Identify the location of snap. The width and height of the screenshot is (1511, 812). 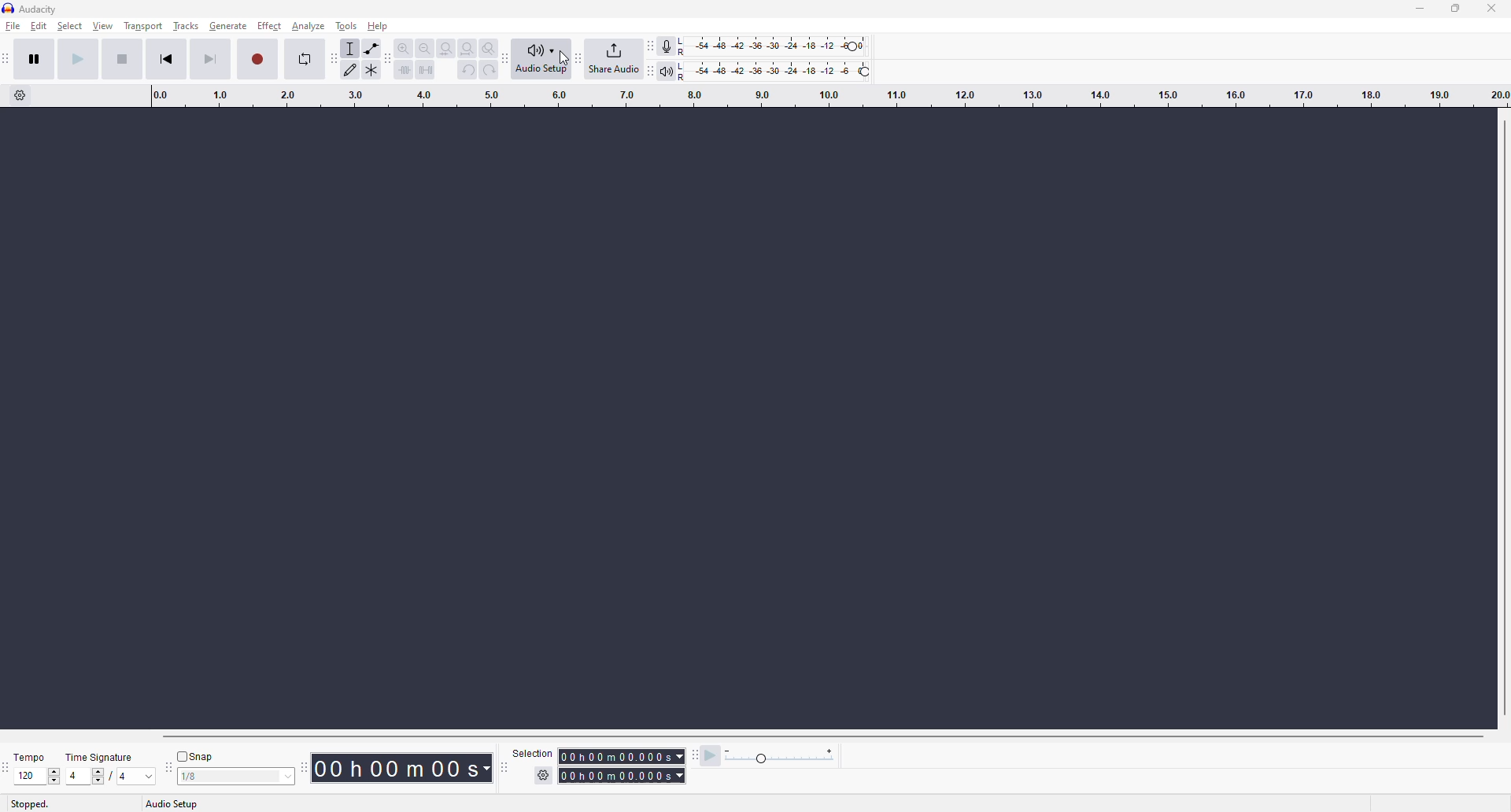
(197, 758).